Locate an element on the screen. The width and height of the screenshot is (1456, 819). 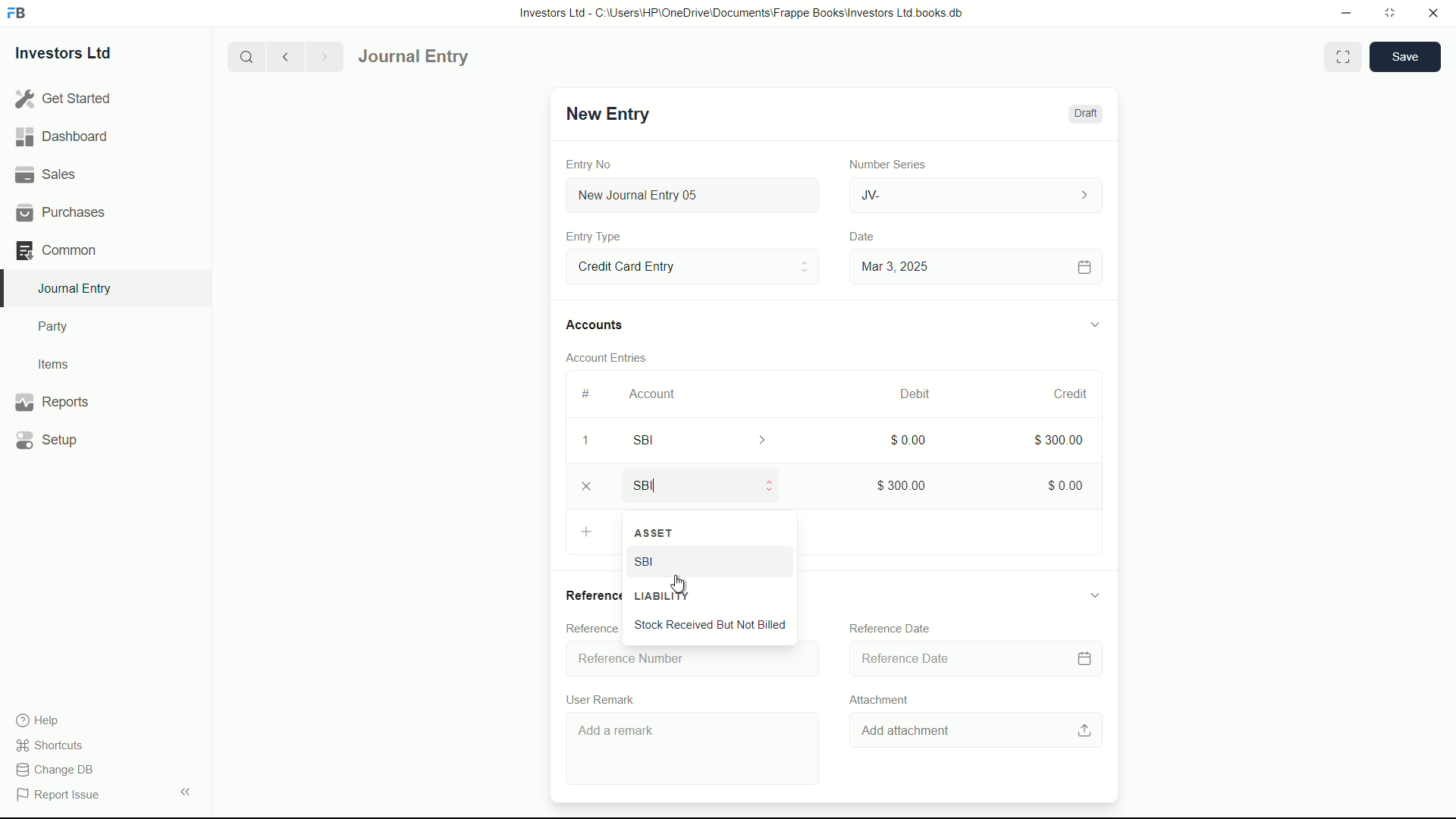
New Entry is located at coordinates (605, 114).